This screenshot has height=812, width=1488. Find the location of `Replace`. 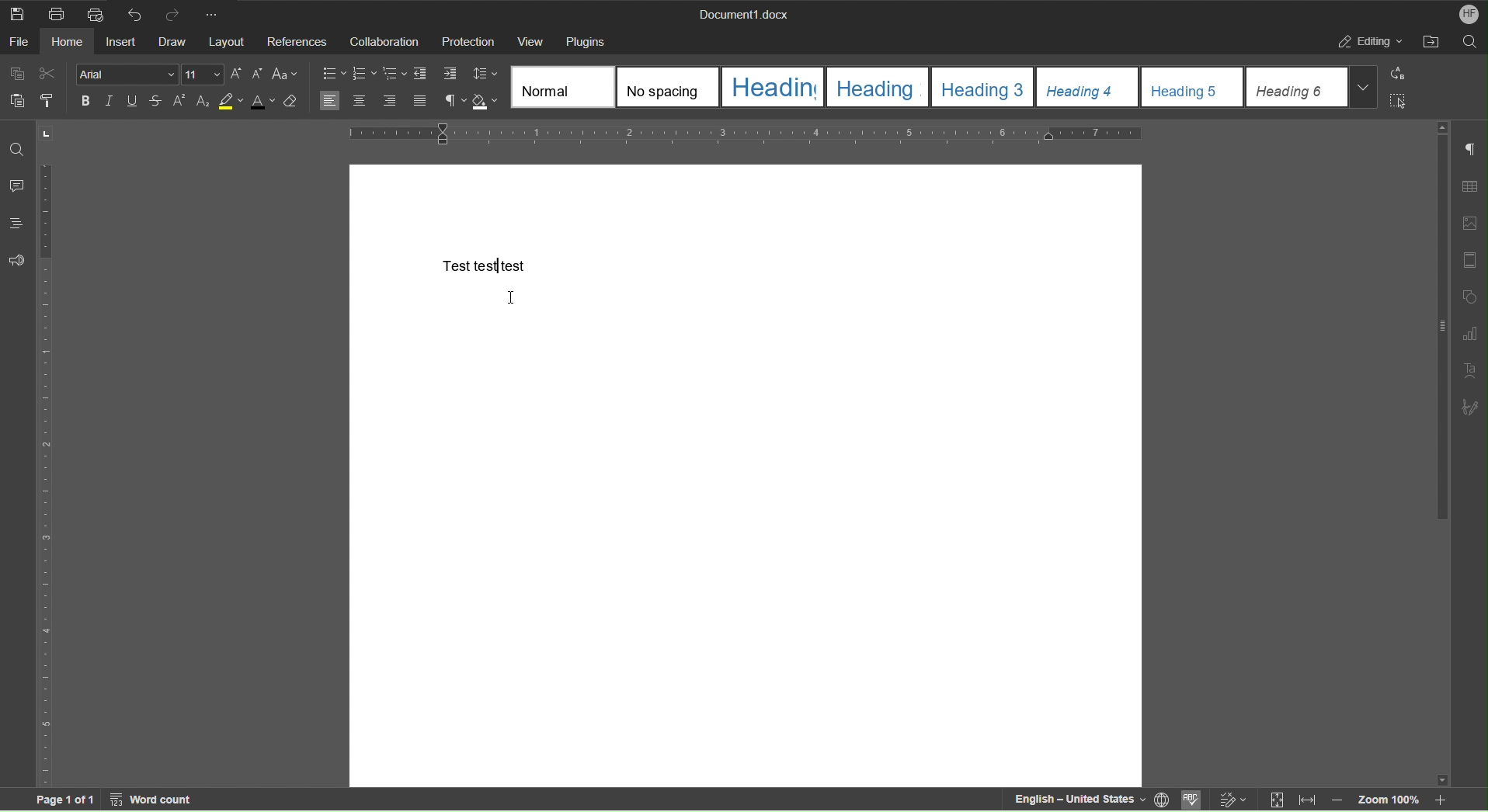

Replace is located at coordinates (1396, 75).